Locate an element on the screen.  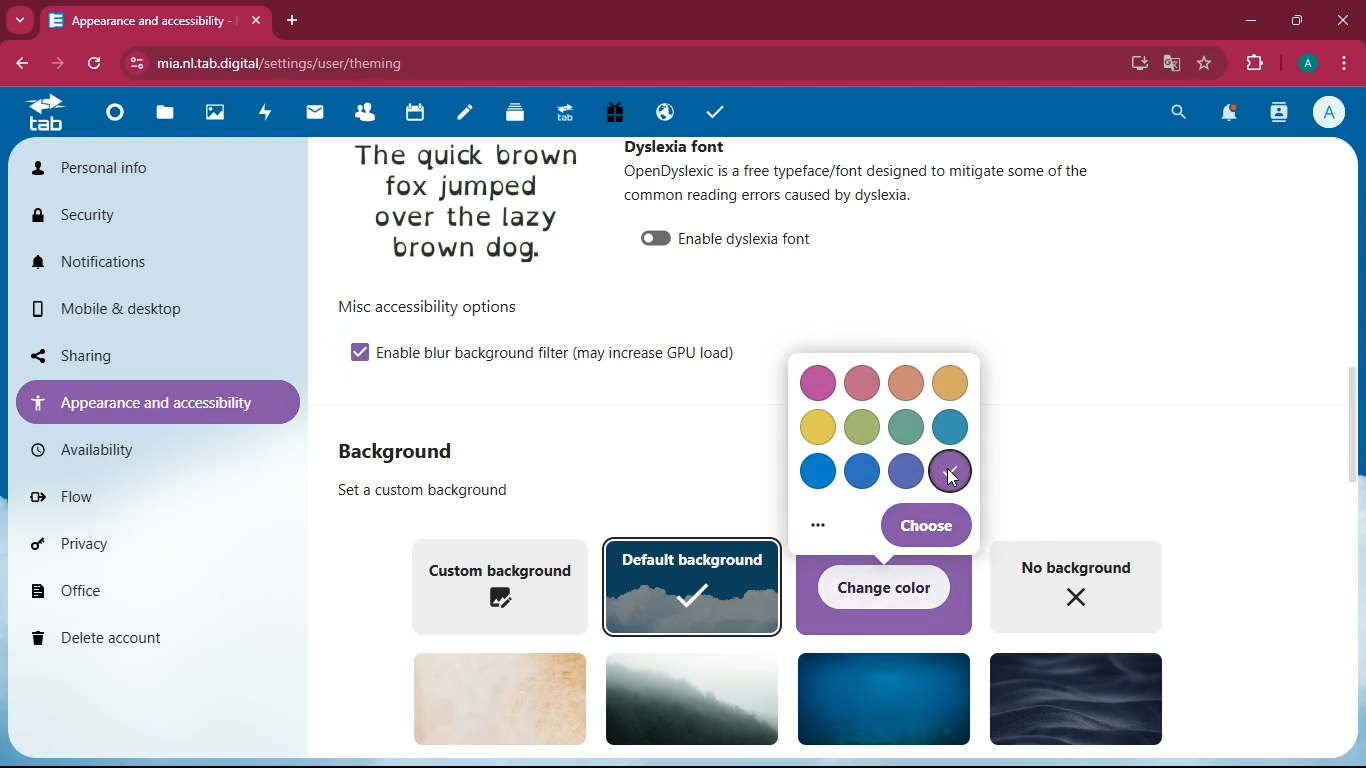
tasks is located at coordinates (714, 113).